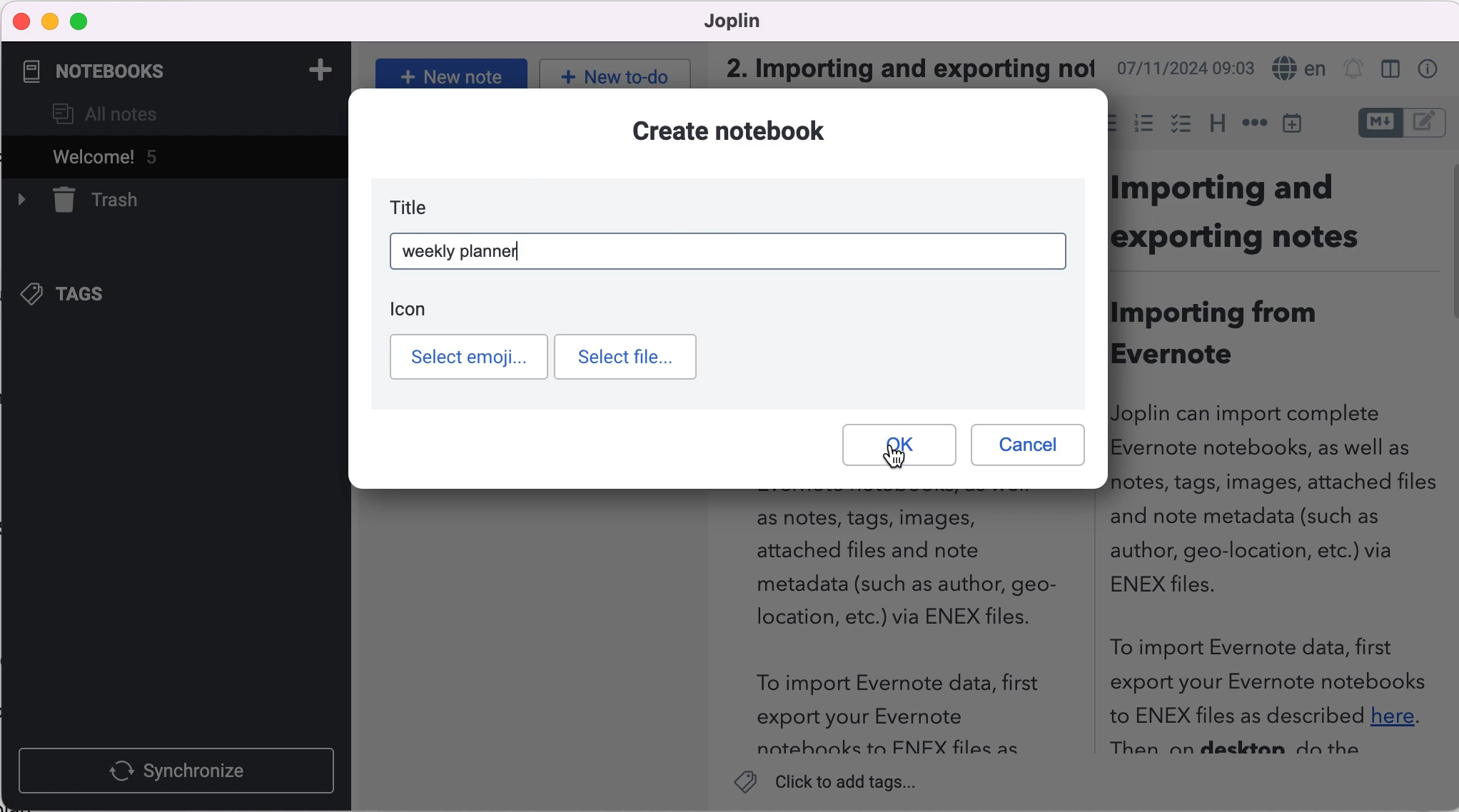 The image size is (1459, 812). Describe the element at coordinates (1354, 71) in the screenshot. I see `set alarm` at that location.